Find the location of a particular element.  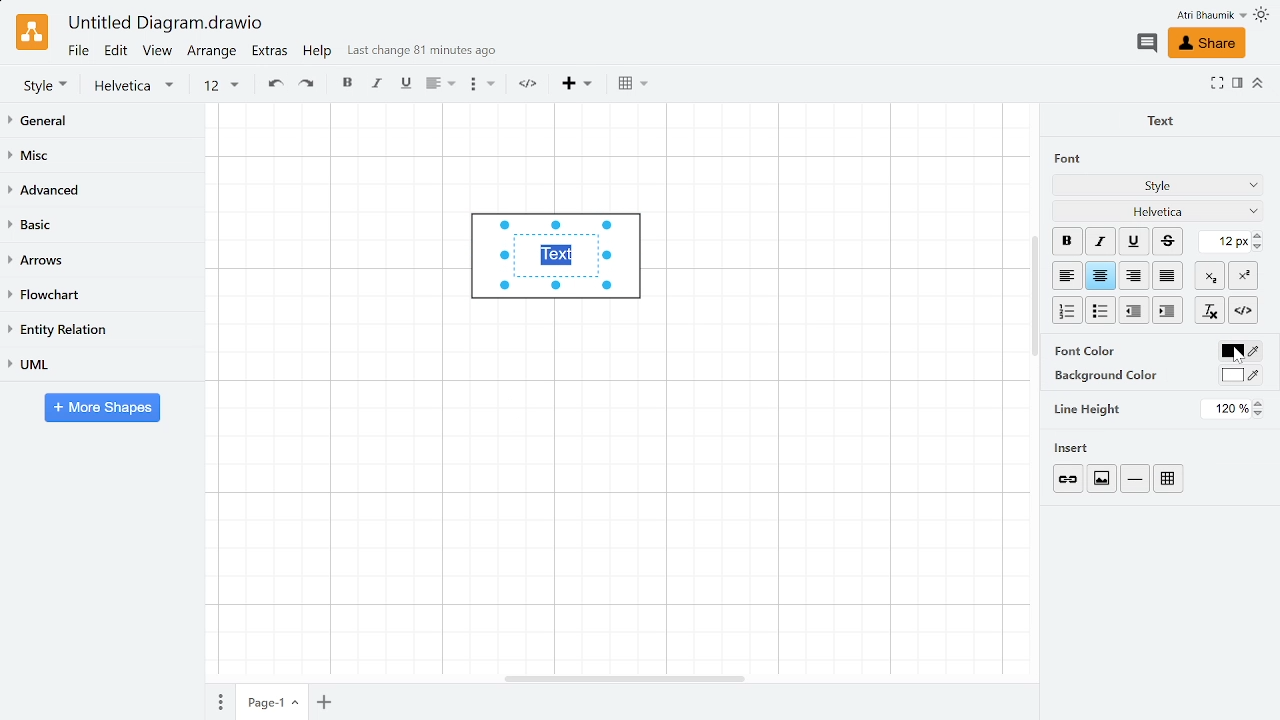

Background color is located at coordinates (1241, 375).